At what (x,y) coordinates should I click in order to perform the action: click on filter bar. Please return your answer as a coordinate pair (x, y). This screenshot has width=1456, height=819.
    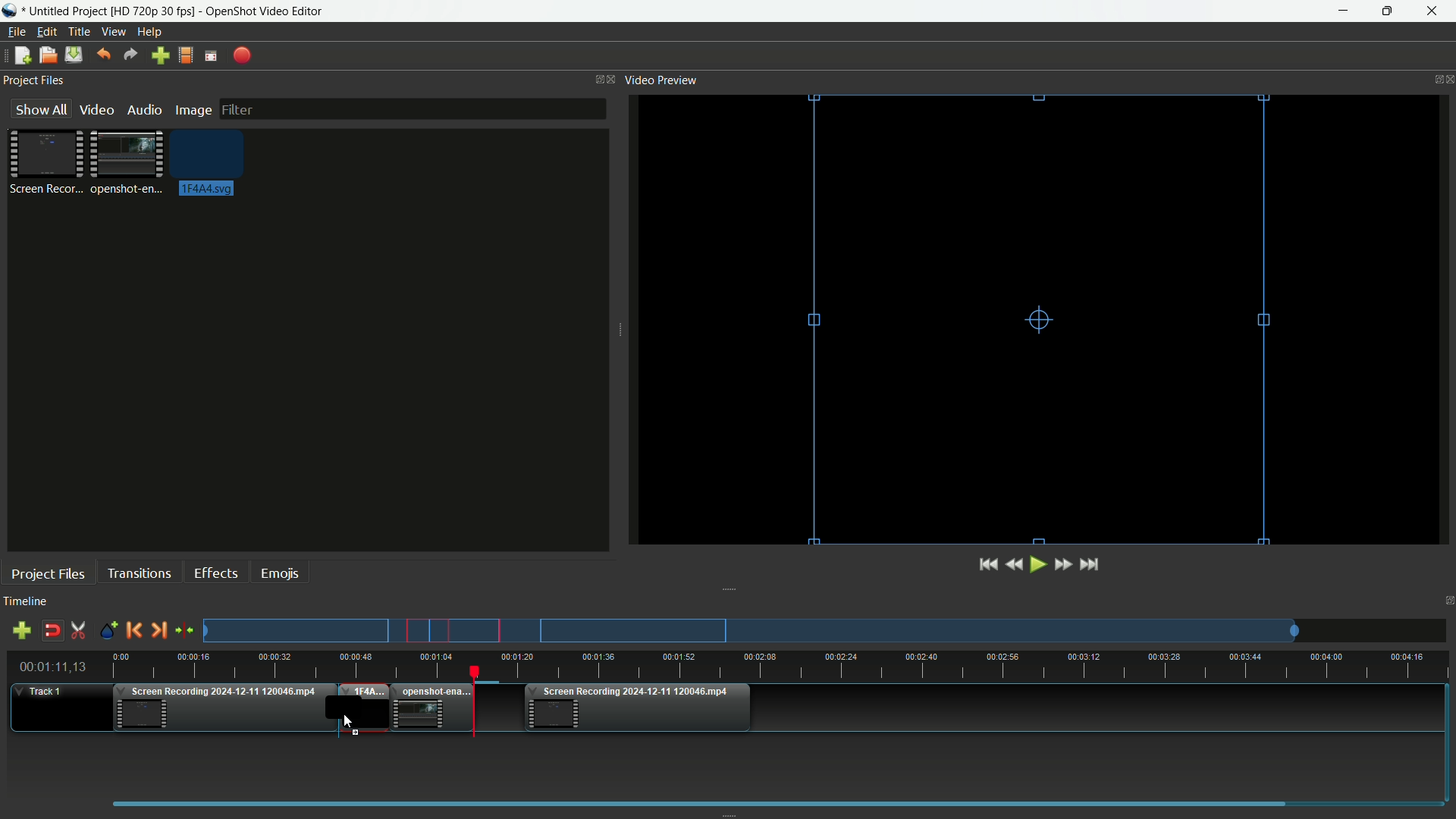
    Looking at the image, I should click on (411, 107).